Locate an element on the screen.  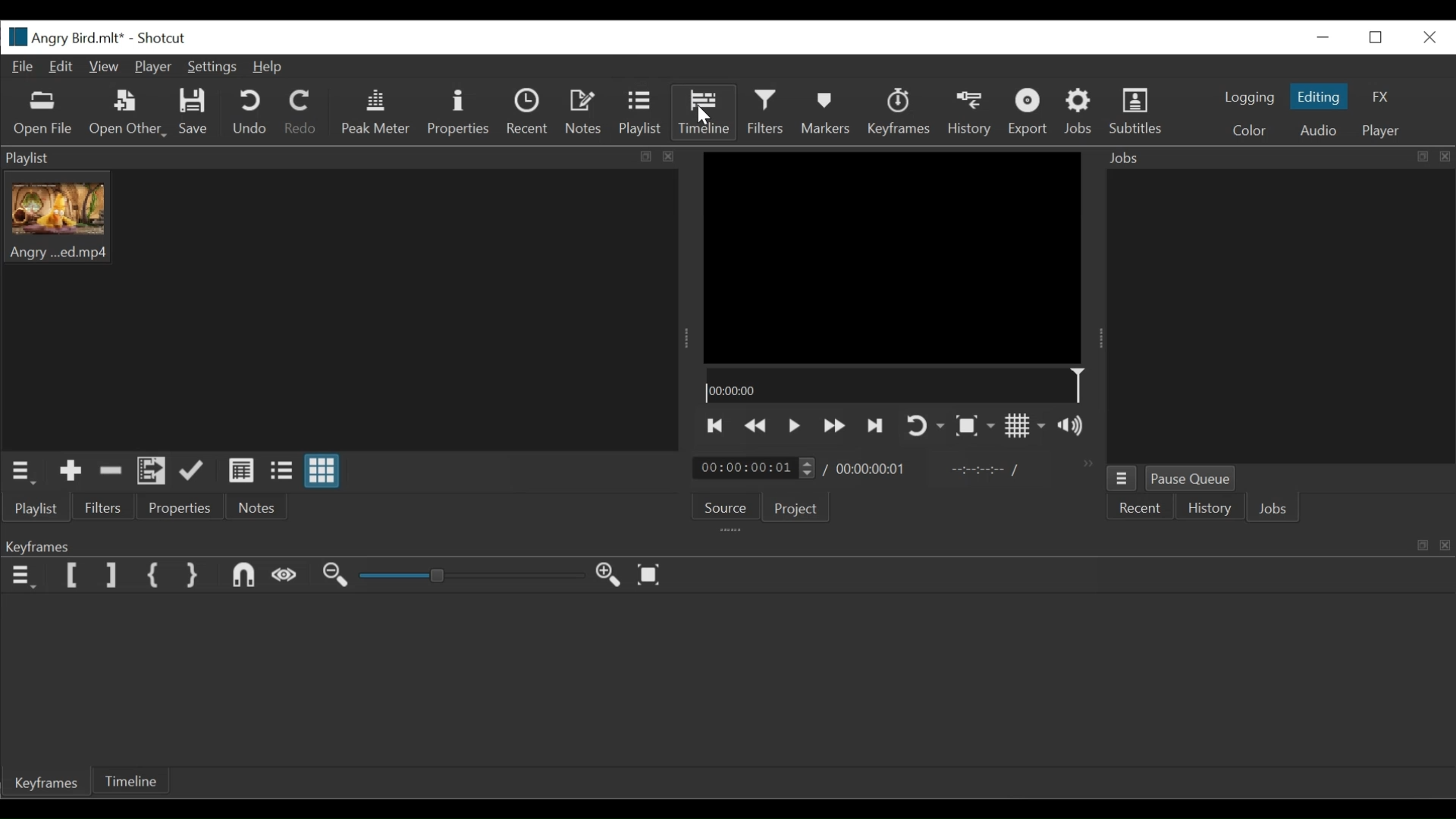
Playlist is located at coordinates (39, 510).